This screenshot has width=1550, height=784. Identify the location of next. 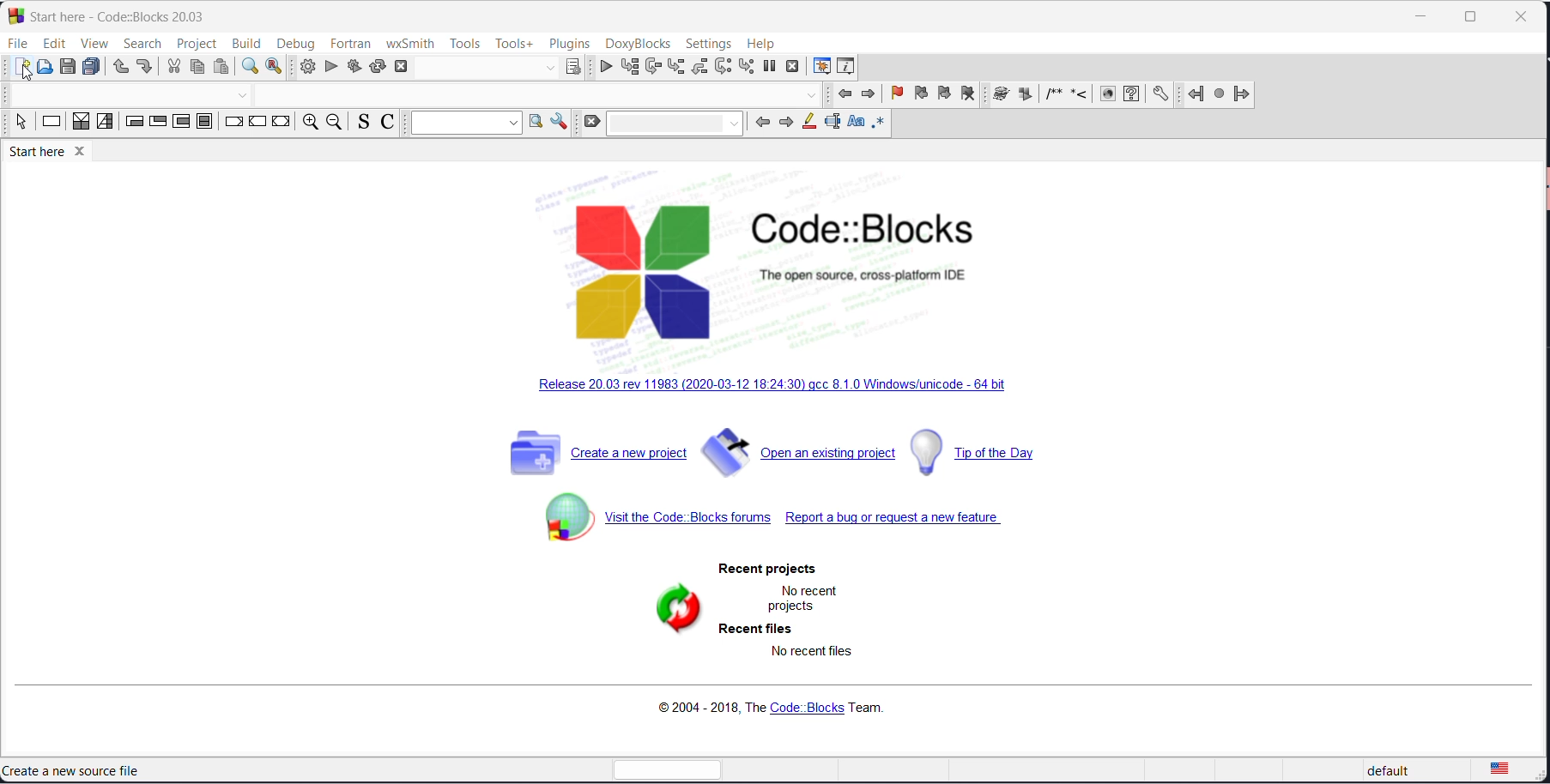
(787, 124).